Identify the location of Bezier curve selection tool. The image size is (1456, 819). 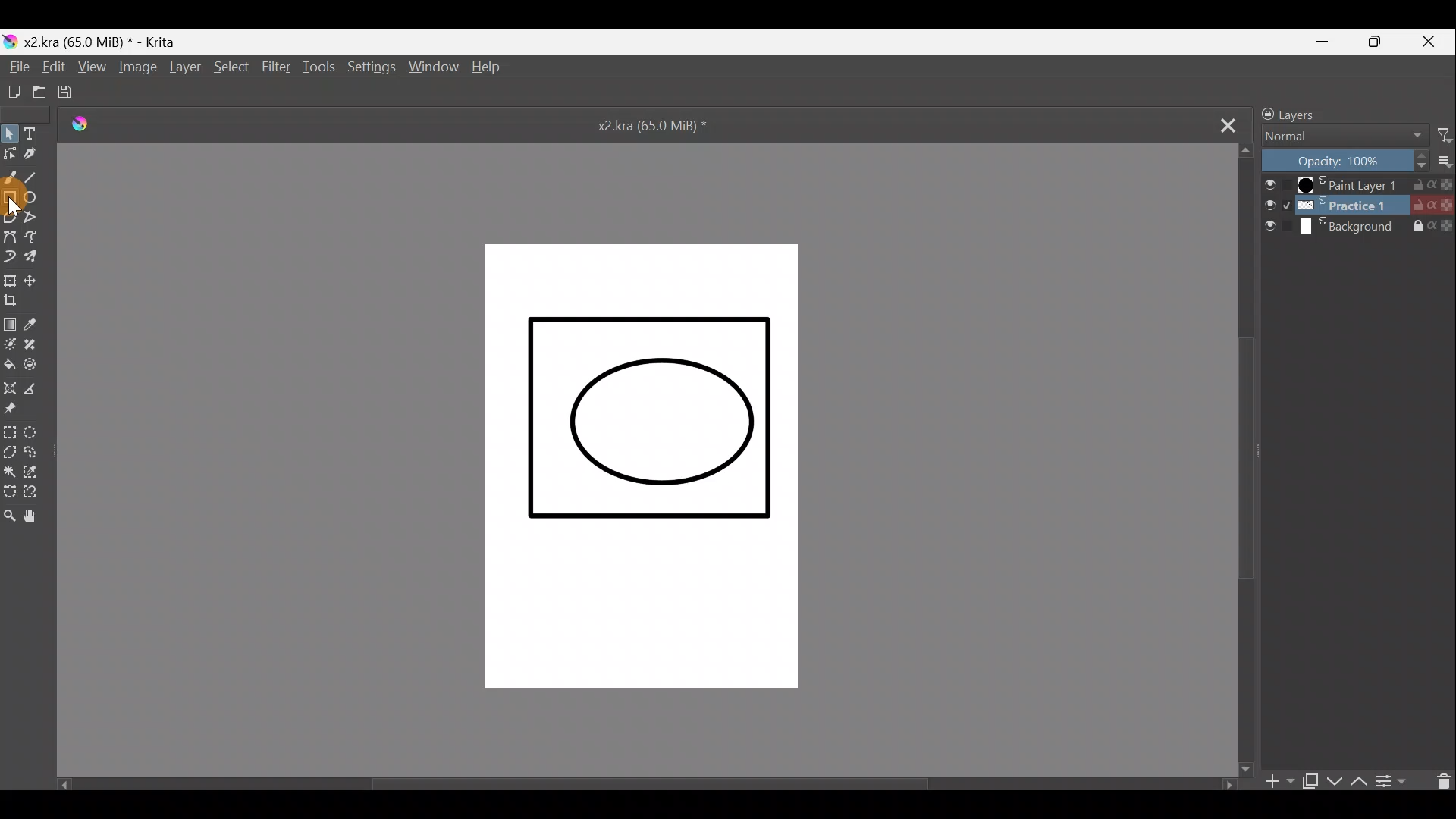
(9, 494).